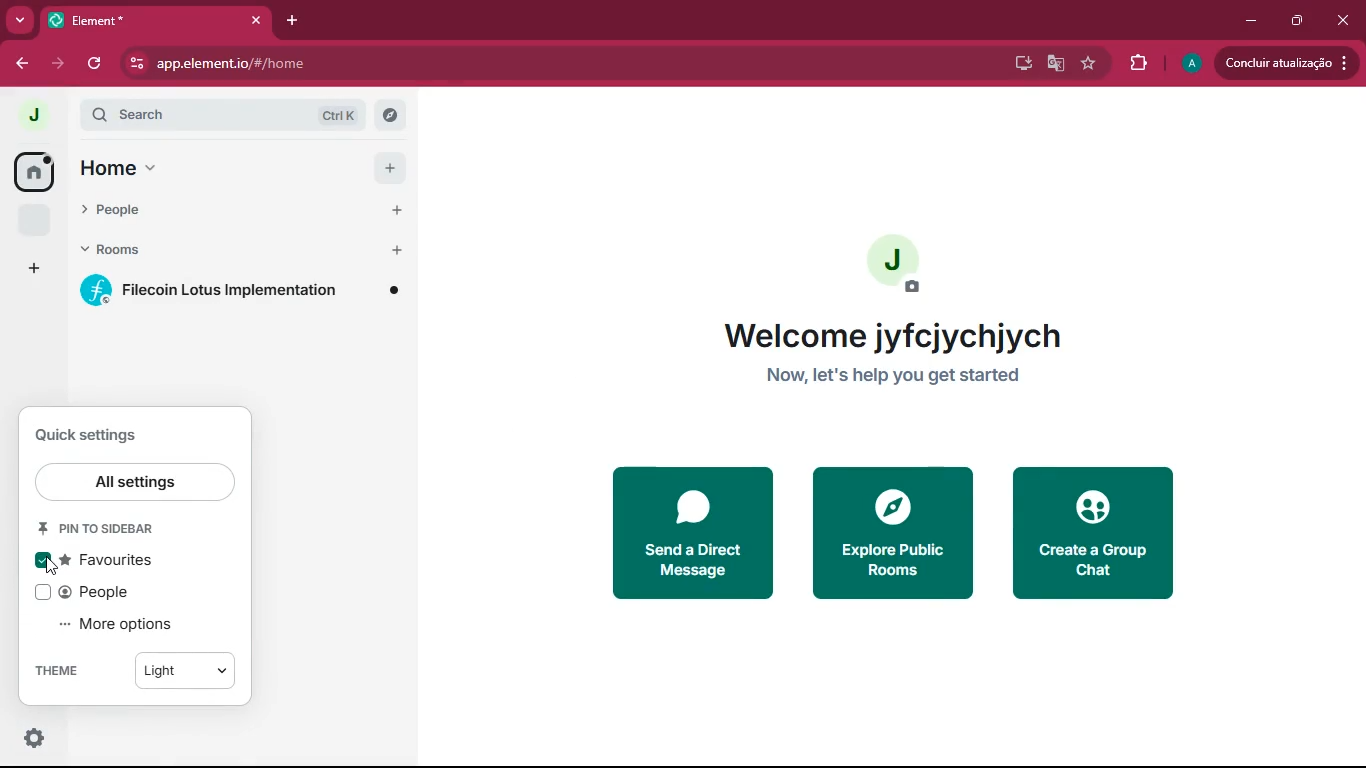  I want to click on google translate, so click(1052, 64).